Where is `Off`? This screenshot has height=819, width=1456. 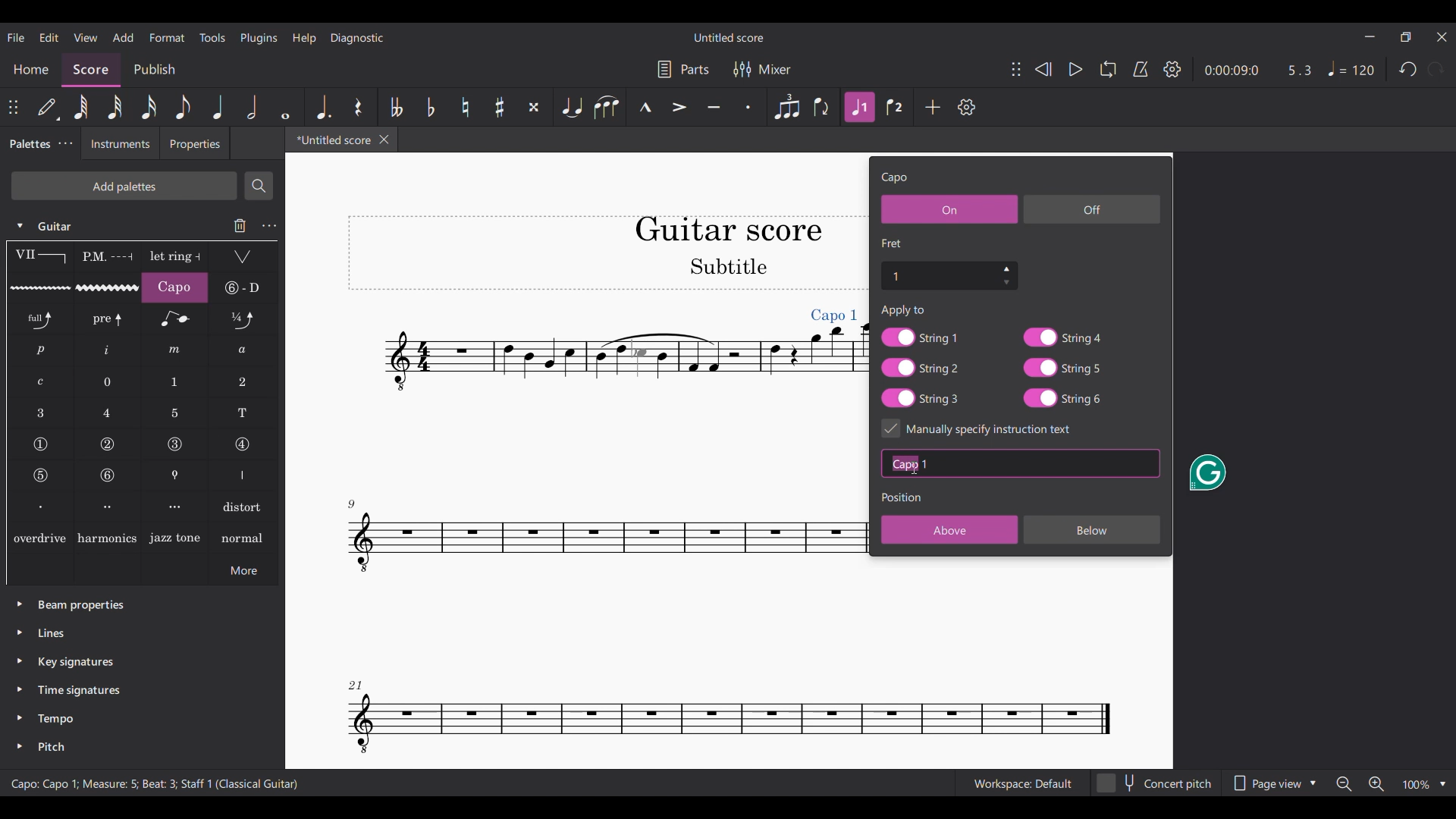 Off is located at coordinates (1092, 209).